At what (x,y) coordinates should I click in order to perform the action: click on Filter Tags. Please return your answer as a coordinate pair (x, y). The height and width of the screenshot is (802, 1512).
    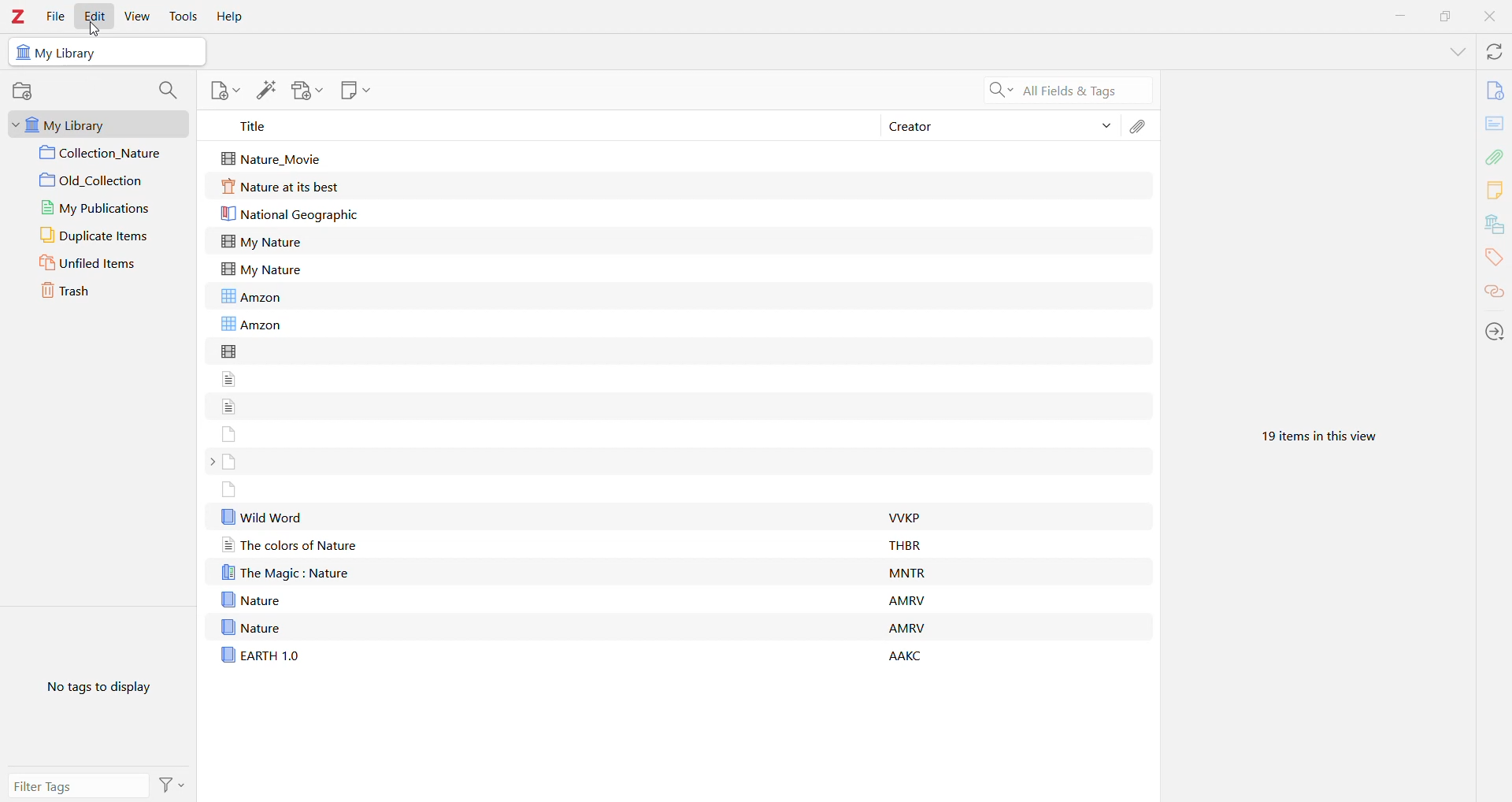
    Looking at the image, I should click on (80, 786).